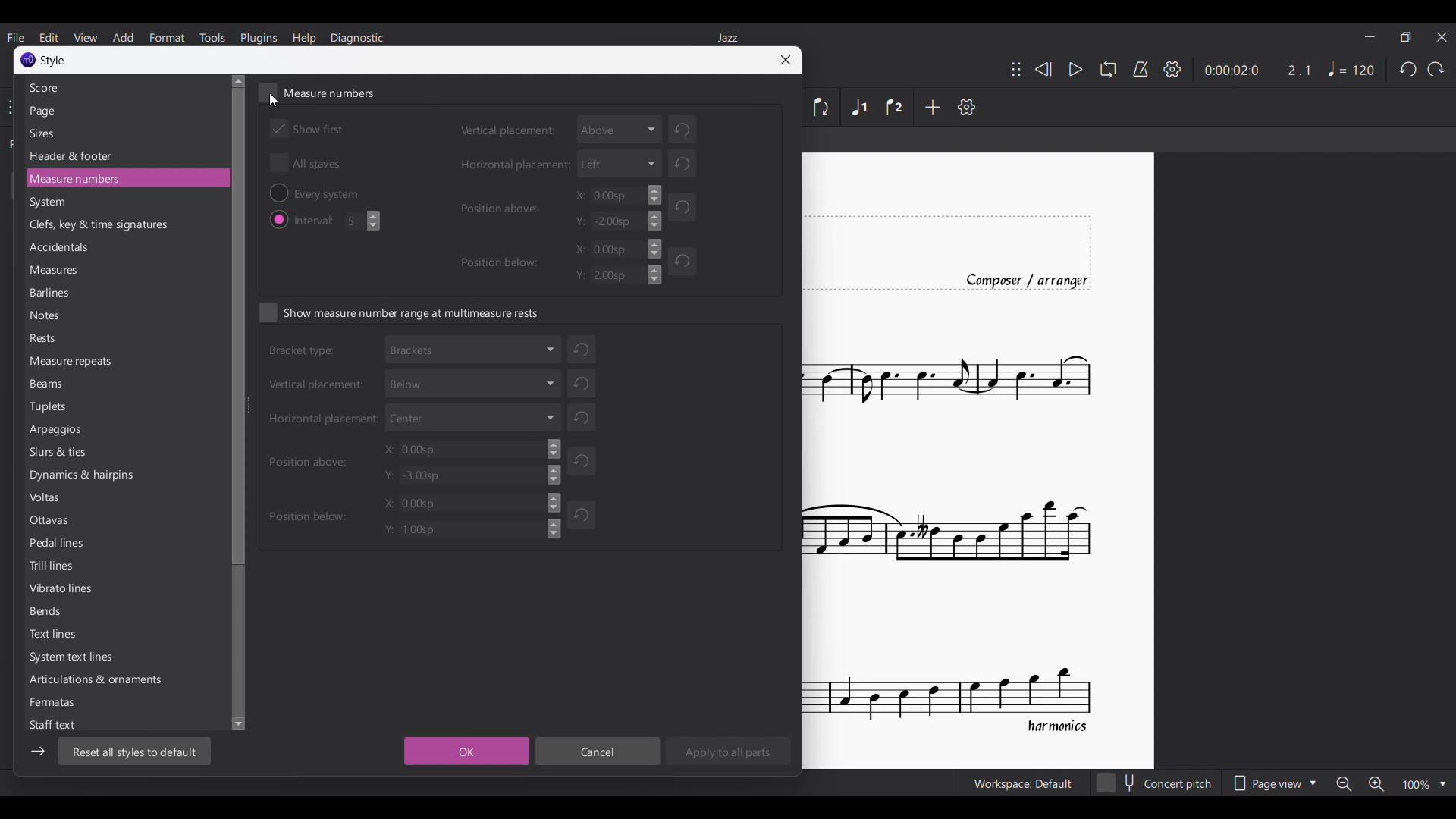 This screenshot has height=819, width=1456. What do you see at coordinates (304, 353) in the screenshot?
I see `Indicates setting for each` at bounding box center [304, 353].